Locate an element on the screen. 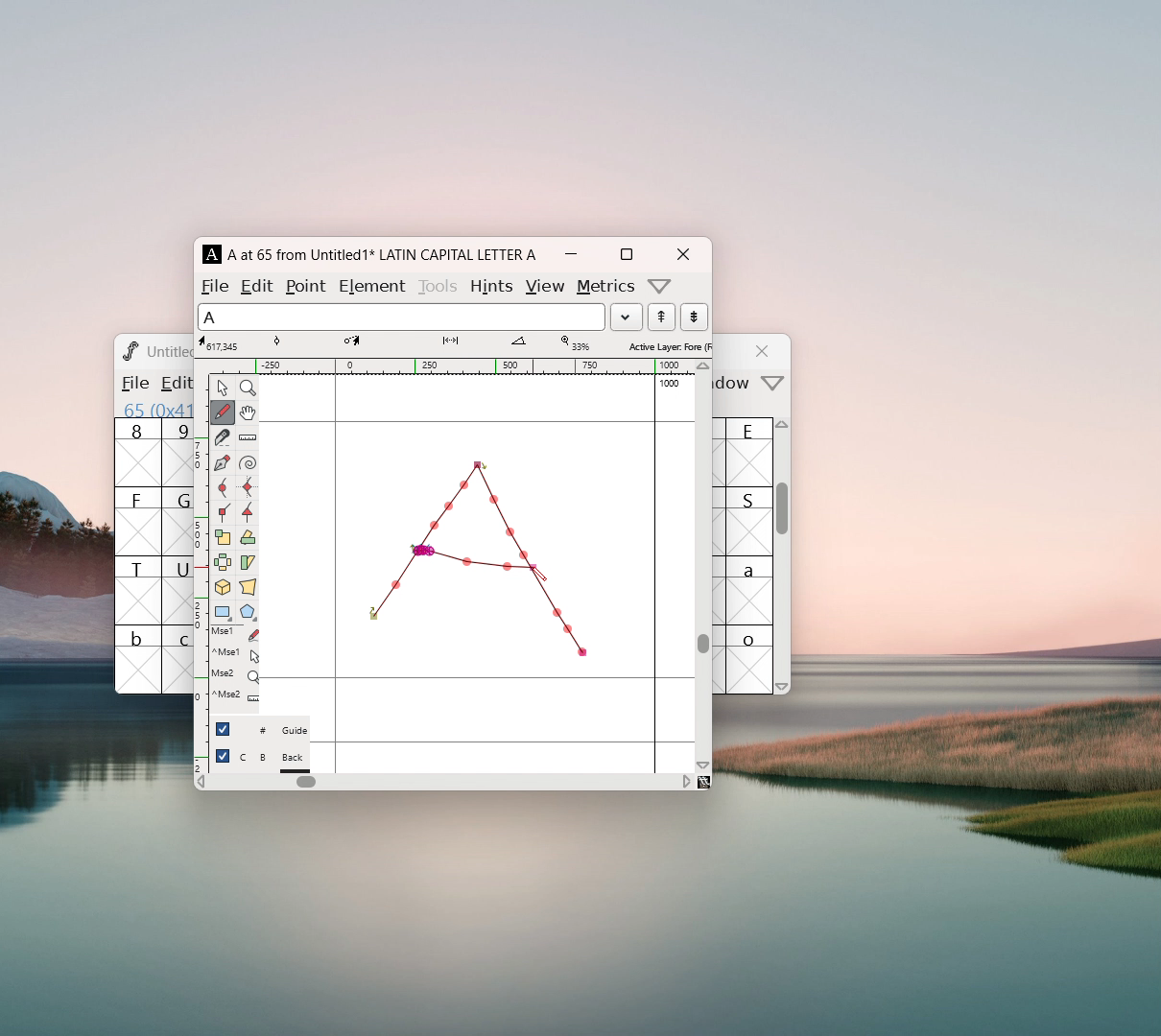 This screenshot has width=1161, height=1036. scroll left is located at coordinates (201, 784).